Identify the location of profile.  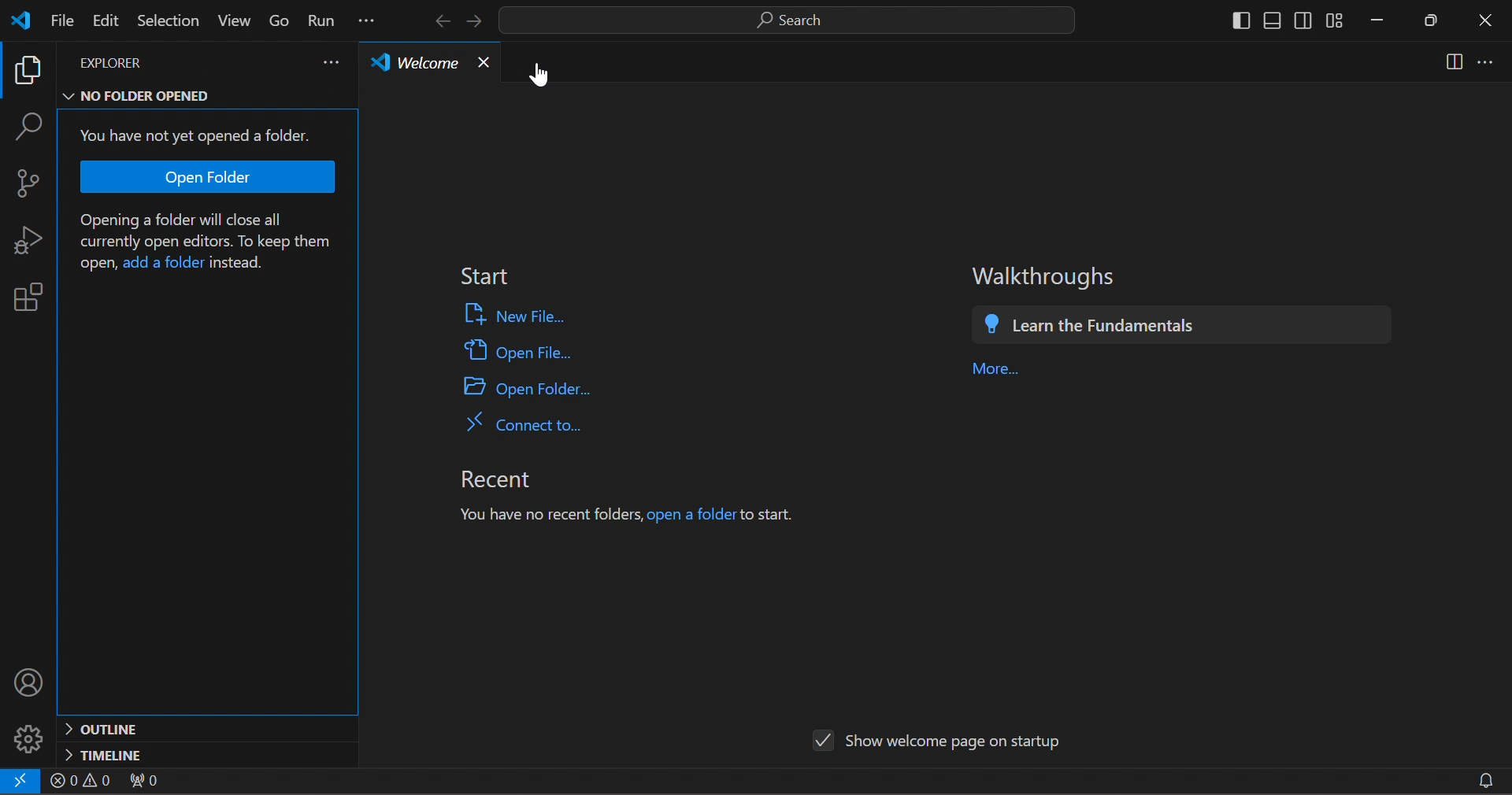
(33, 684).